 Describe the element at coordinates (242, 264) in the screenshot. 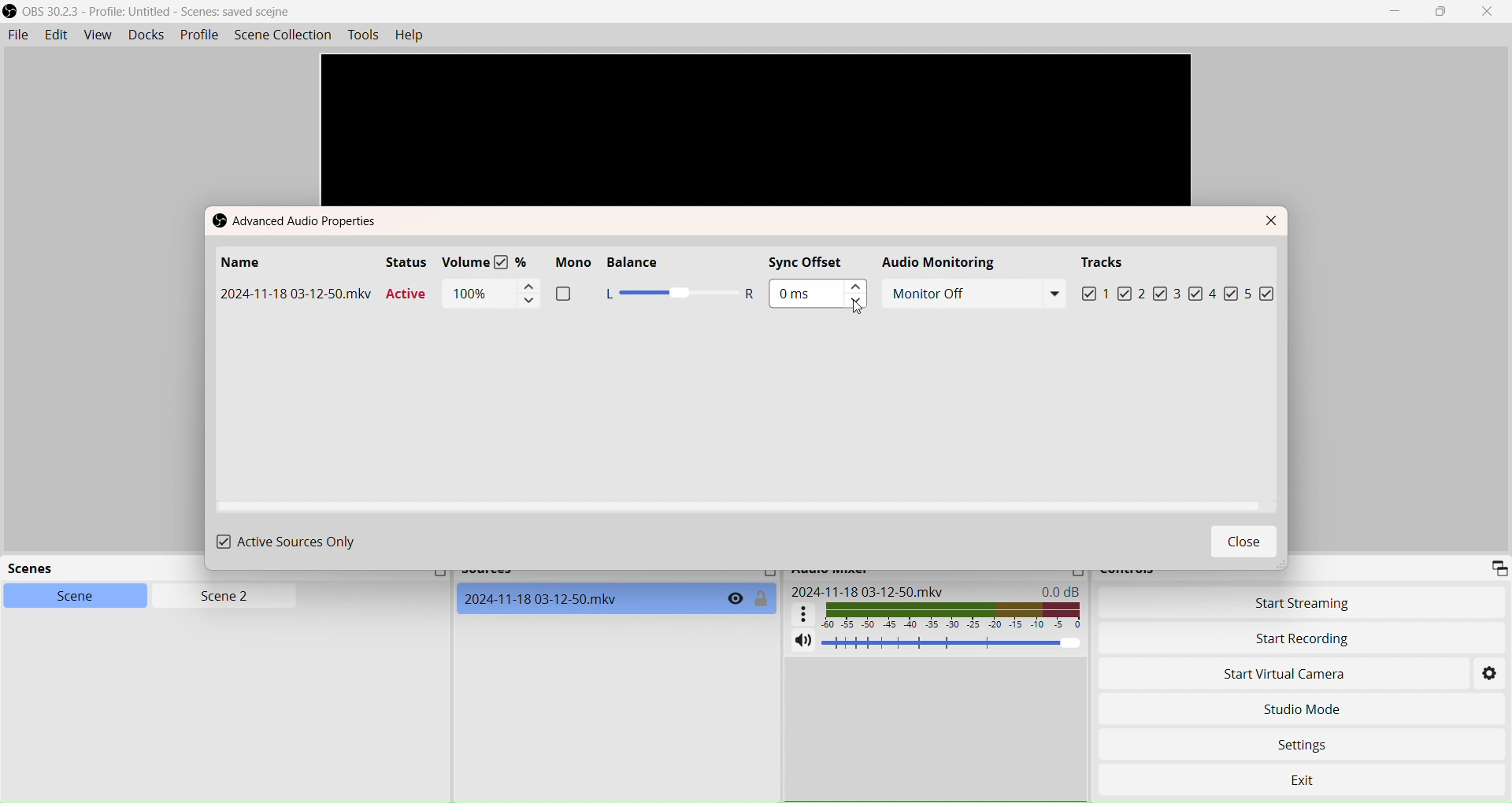

I see `Name` at that location.